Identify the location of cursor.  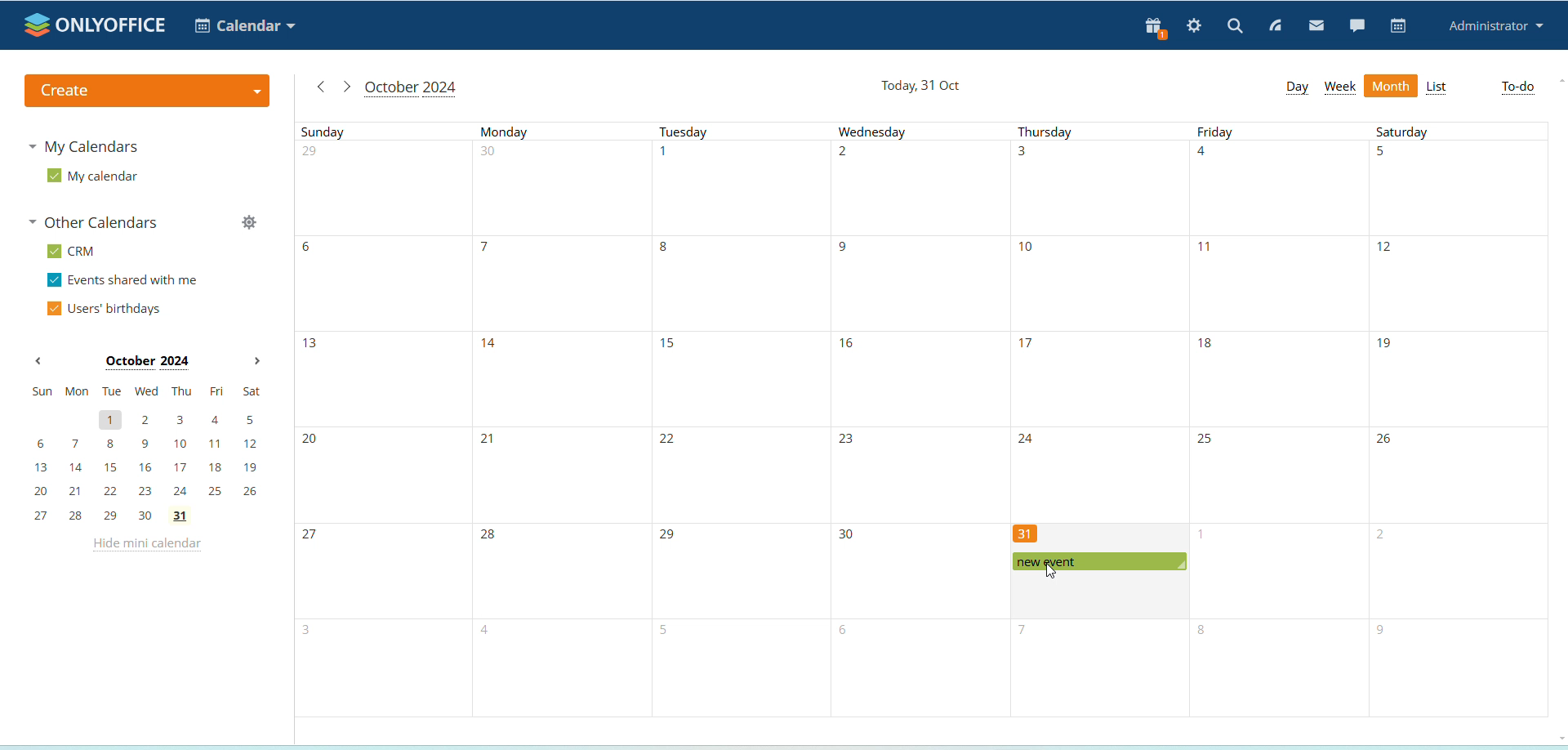
(1052, 572).